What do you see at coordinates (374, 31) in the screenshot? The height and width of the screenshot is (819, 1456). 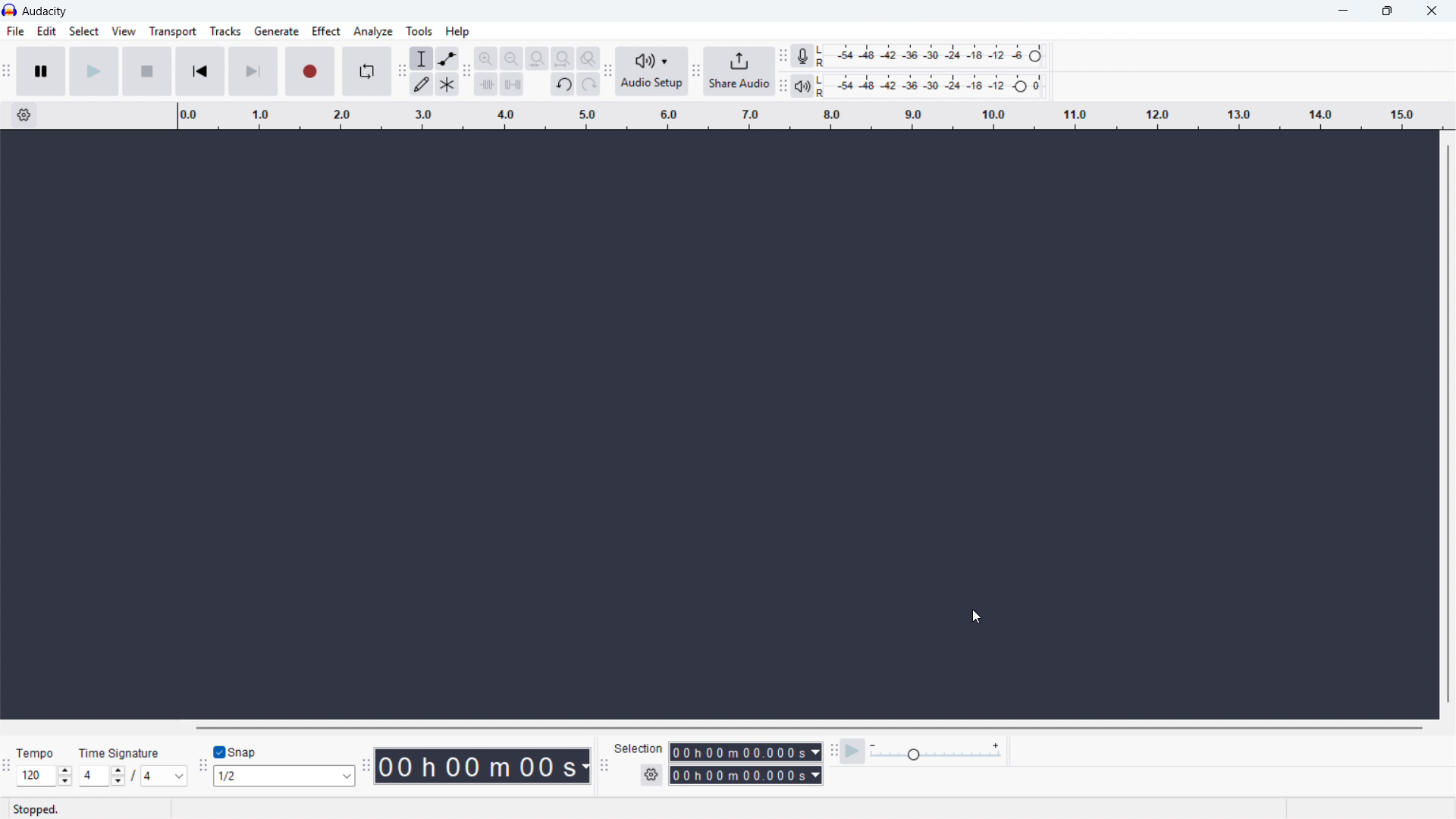 I see `analyze` at bounding box center [374, 31].